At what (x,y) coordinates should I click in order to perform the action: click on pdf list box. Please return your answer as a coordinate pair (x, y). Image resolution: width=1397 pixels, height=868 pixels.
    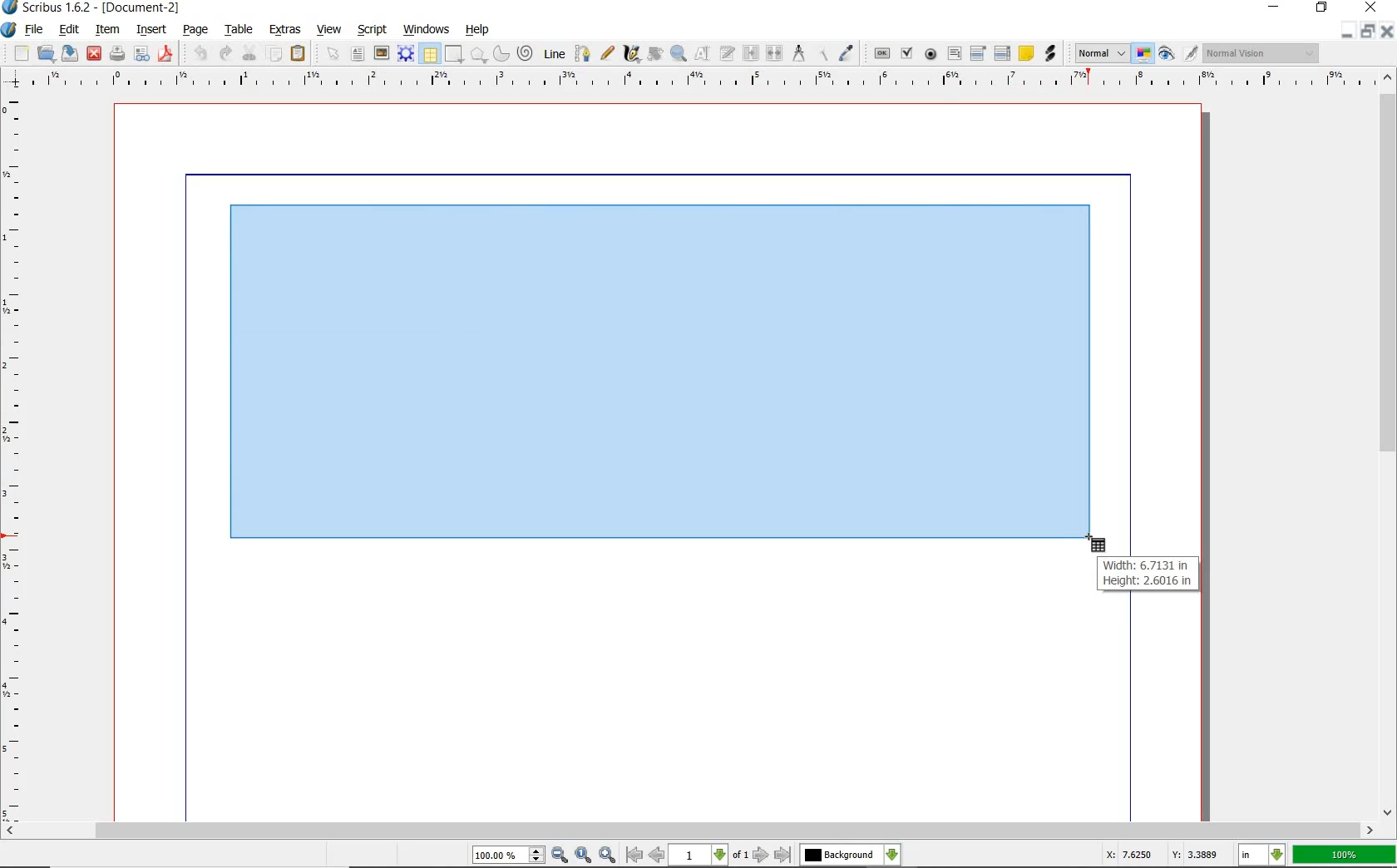
    Looking at the image, I should click on (1003, 52).